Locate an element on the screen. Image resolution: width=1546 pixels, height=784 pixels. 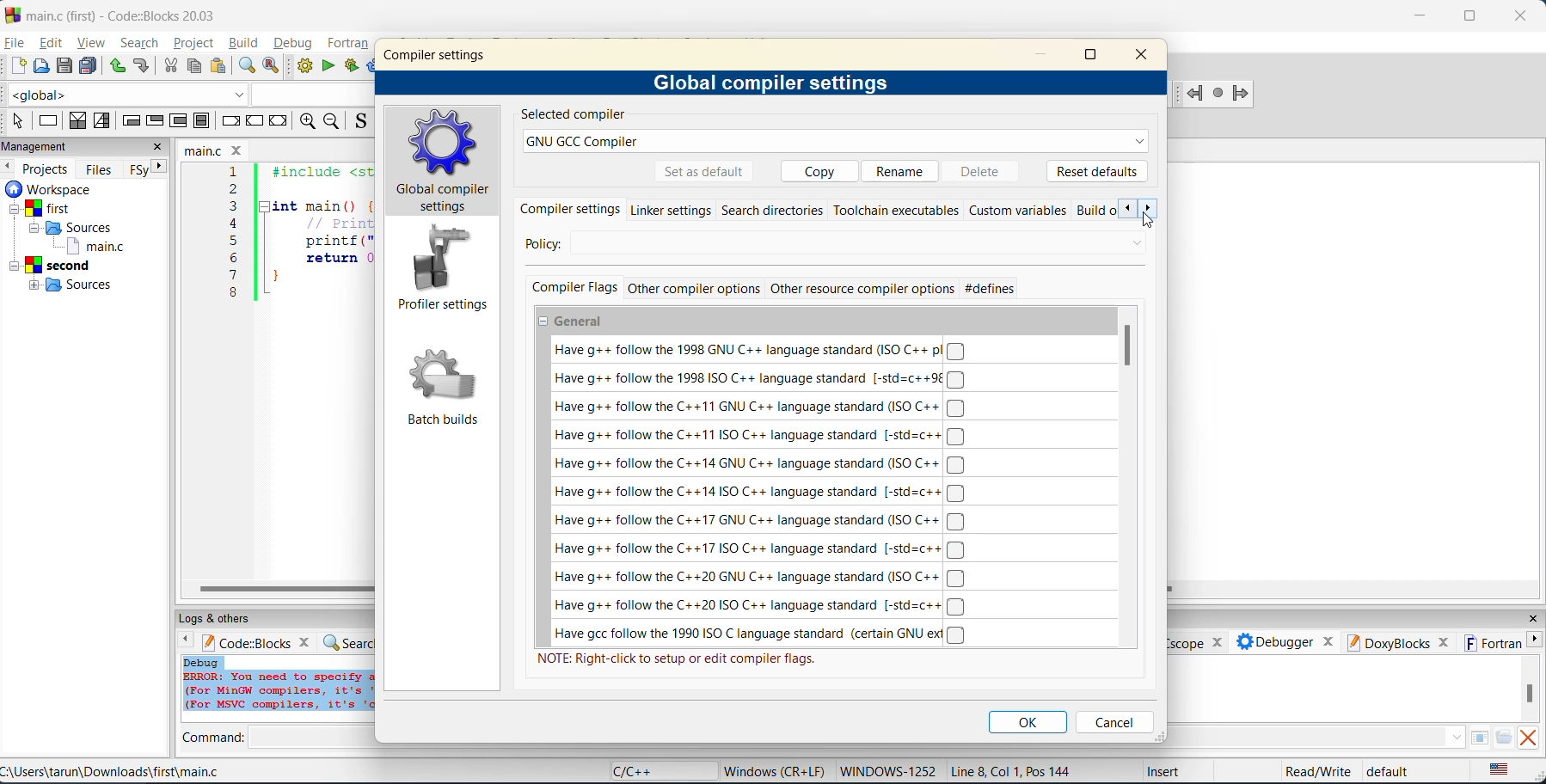
previous is located at coordinates (1128, 209).